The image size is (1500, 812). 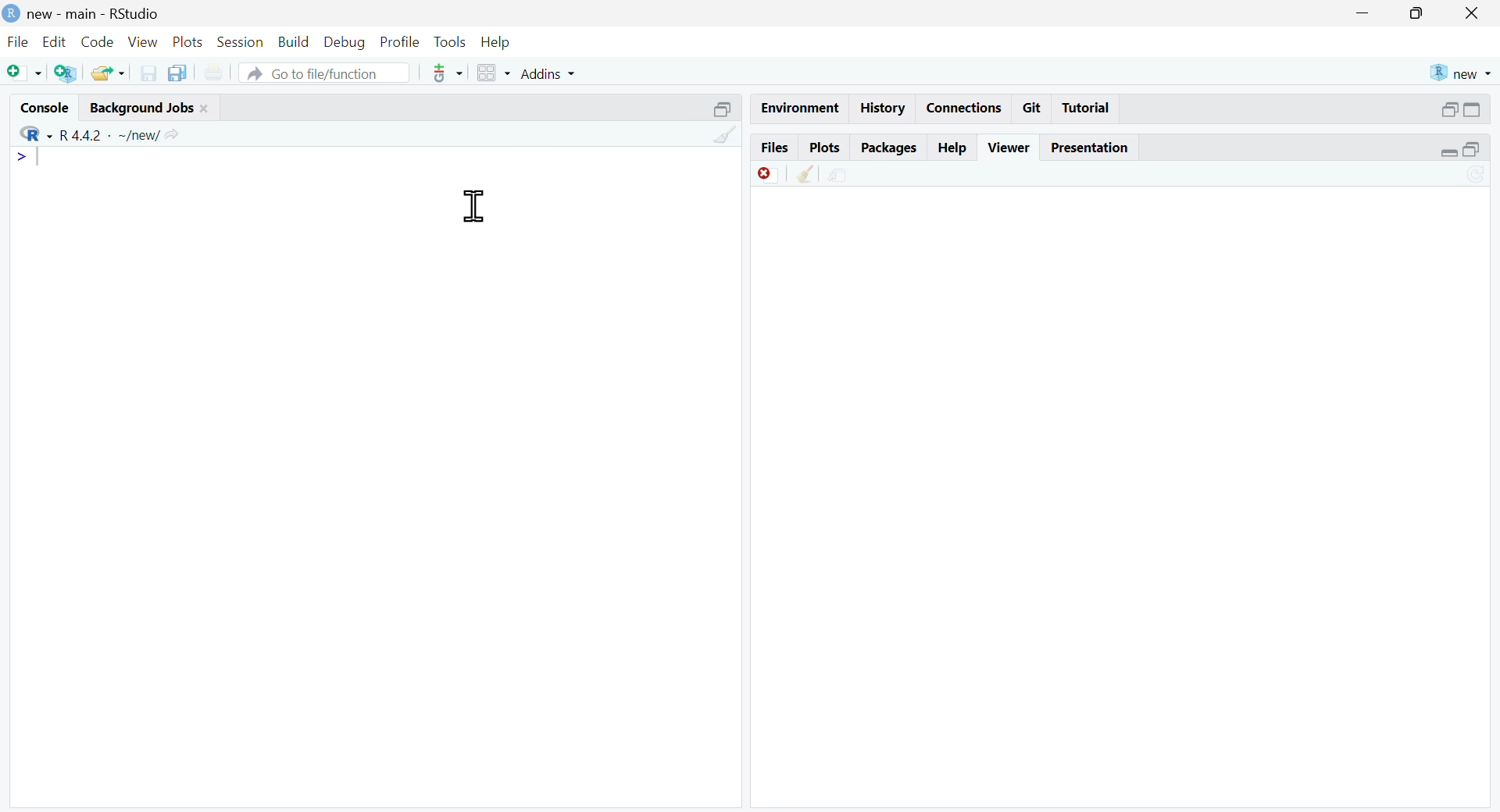 What do you see at coordinates (880, 109) in the screenshot?
I see `history` at bounding box center [880, 109].